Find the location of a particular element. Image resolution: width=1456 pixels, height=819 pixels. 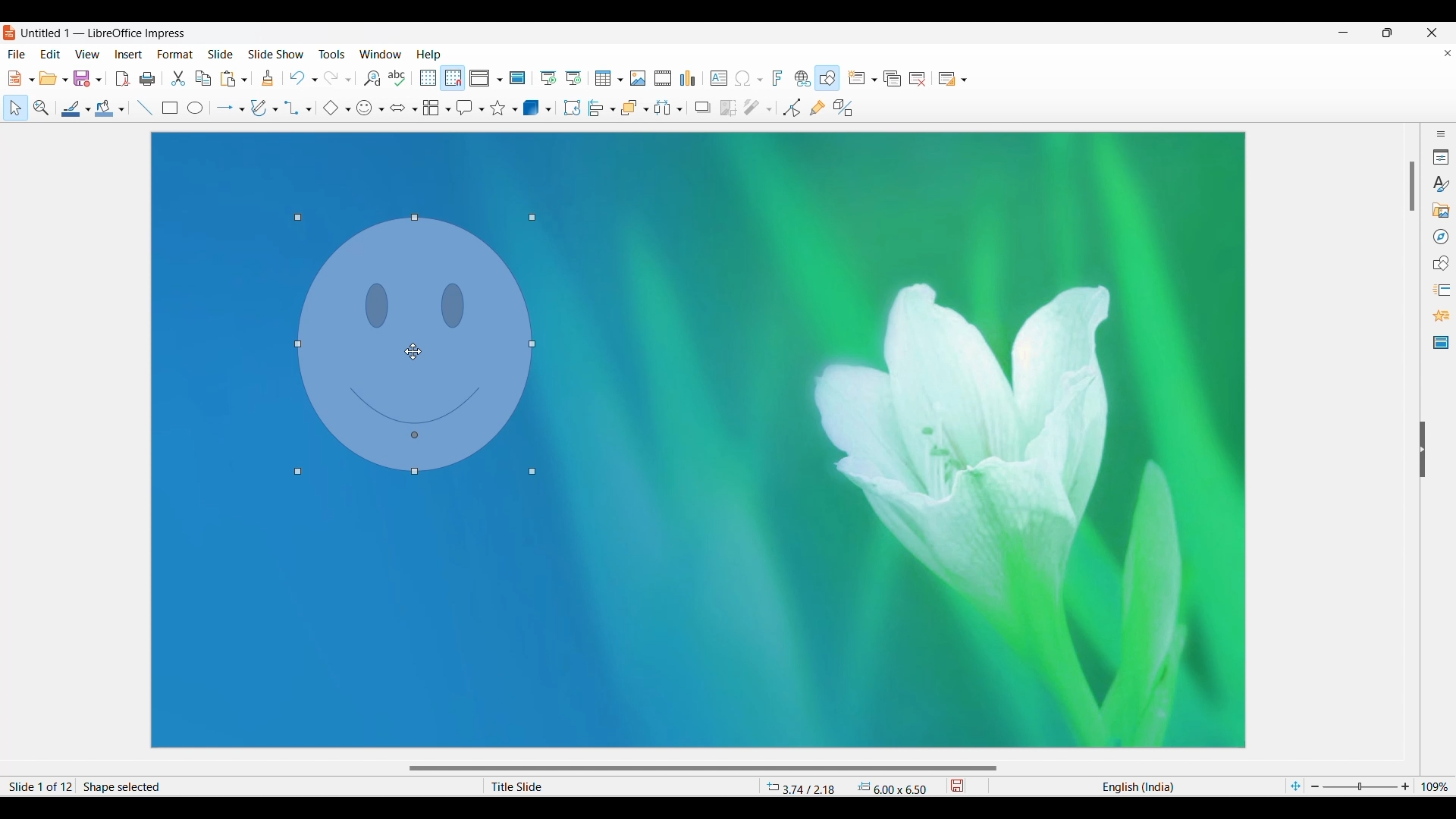

Copy is located at coordinates (203, 79).